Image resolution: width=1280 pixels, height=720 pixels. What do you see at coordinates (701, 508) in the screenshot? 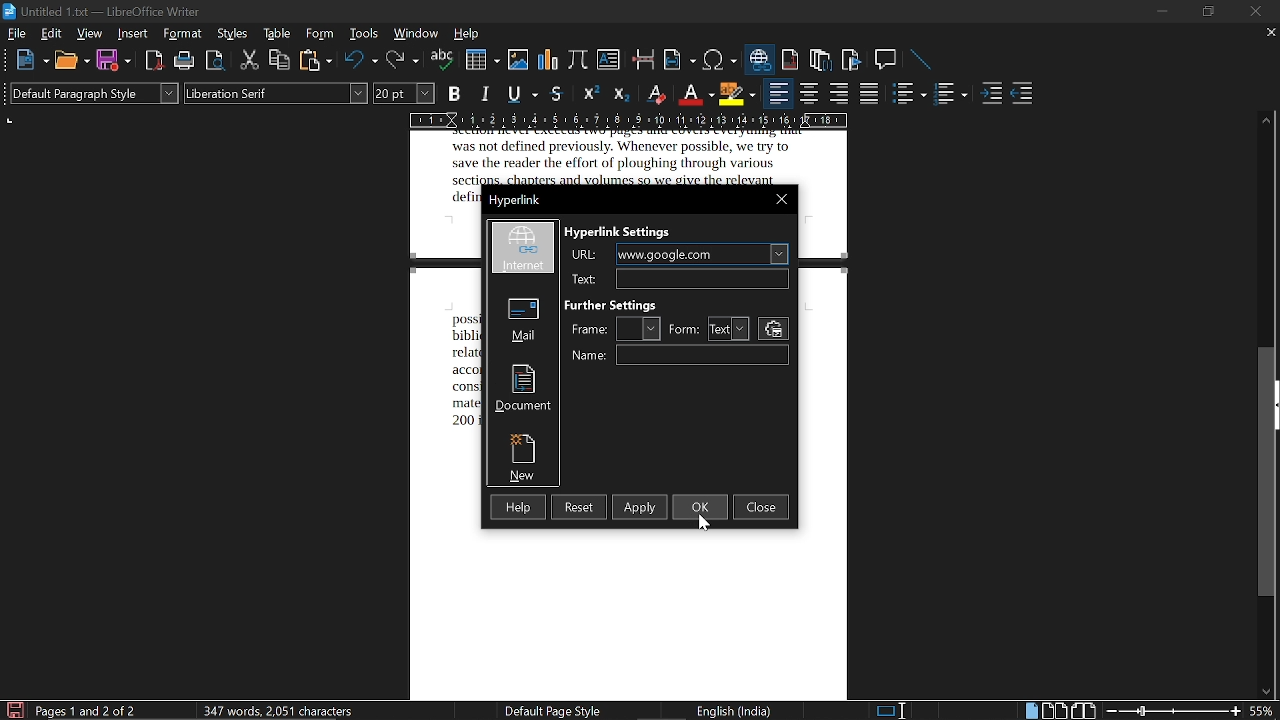
I see `ok` at bounding box center [701, 508].